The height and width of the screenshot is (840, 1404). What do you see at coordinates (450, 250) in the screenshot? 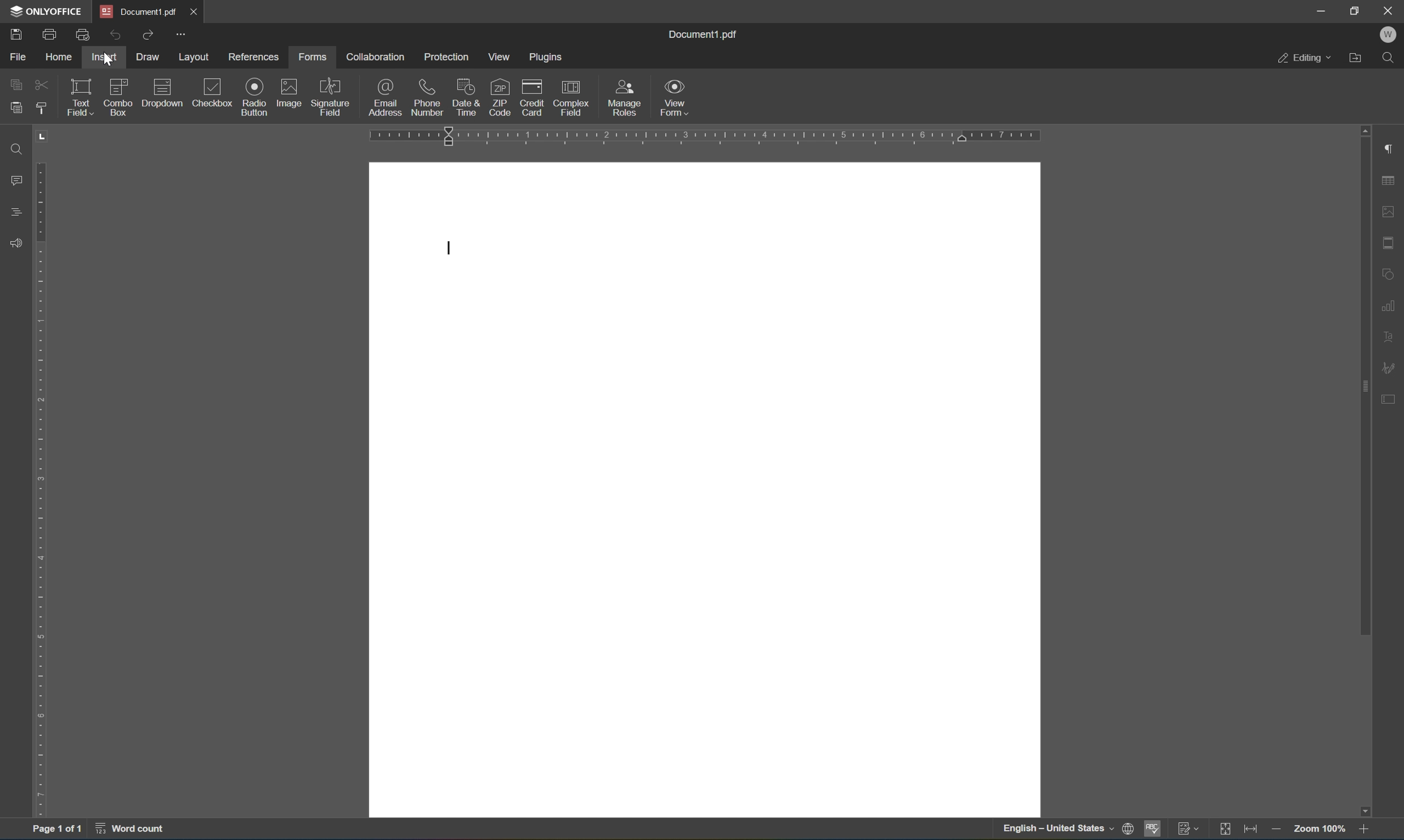
I see `cursor settings` at bounding box center [450, 250].